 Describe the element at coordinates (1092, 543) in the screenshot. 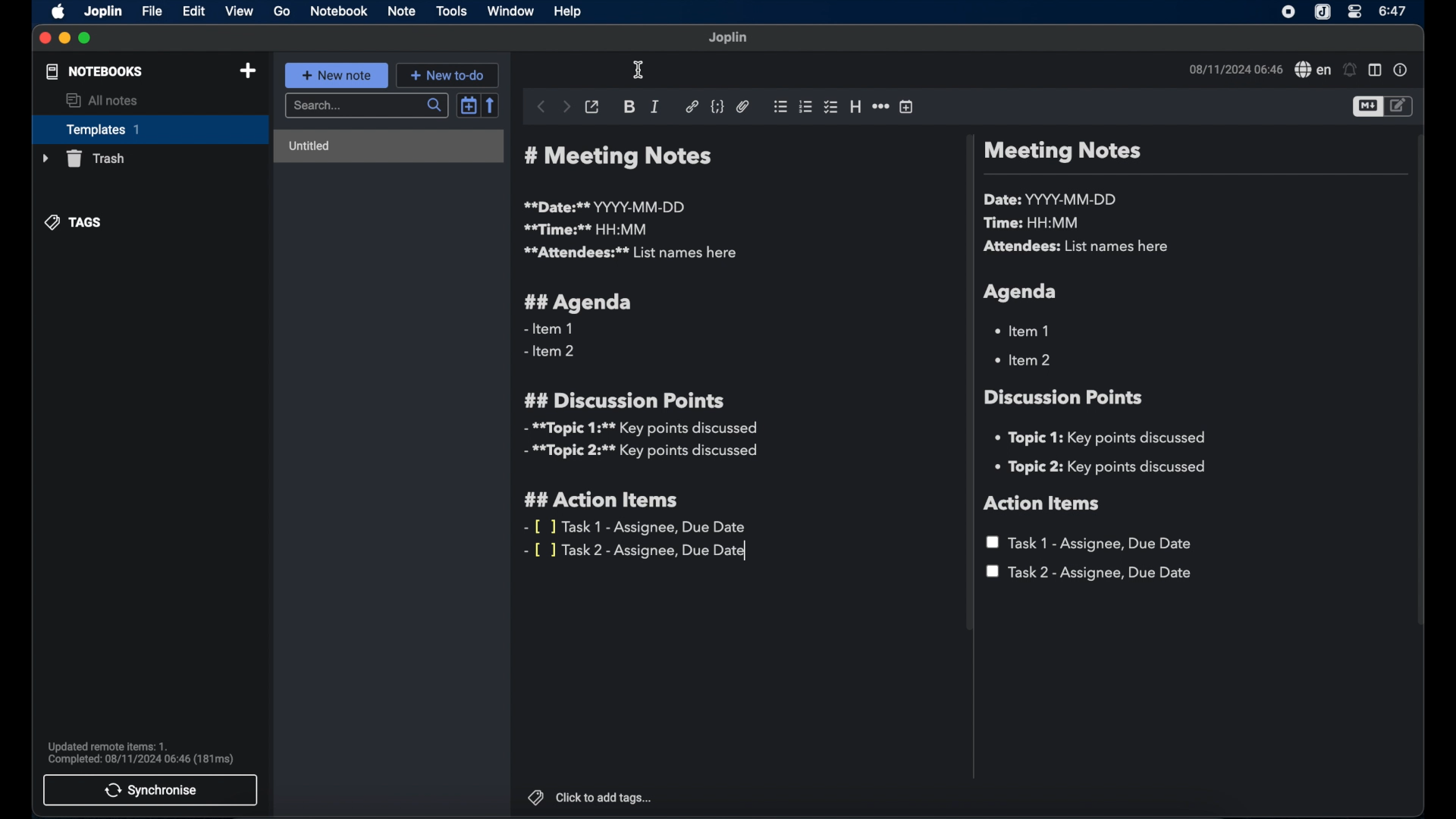

I see `task 1 assigneedue date` at that location.